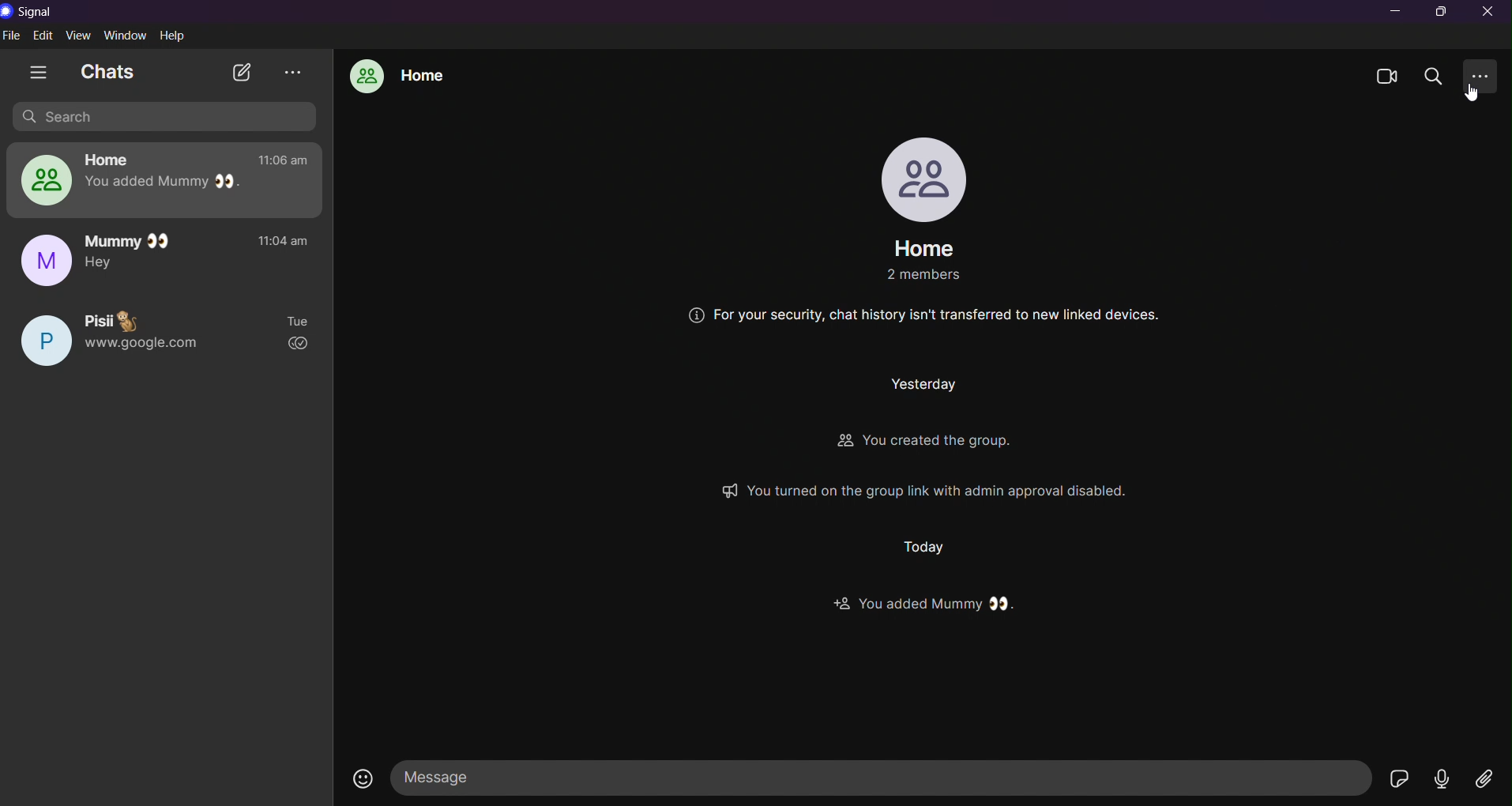 The height and width of the screenshot is (806, 1512). I want to click on  You turned on the group link with admin approval disabled., so click(978, 490).